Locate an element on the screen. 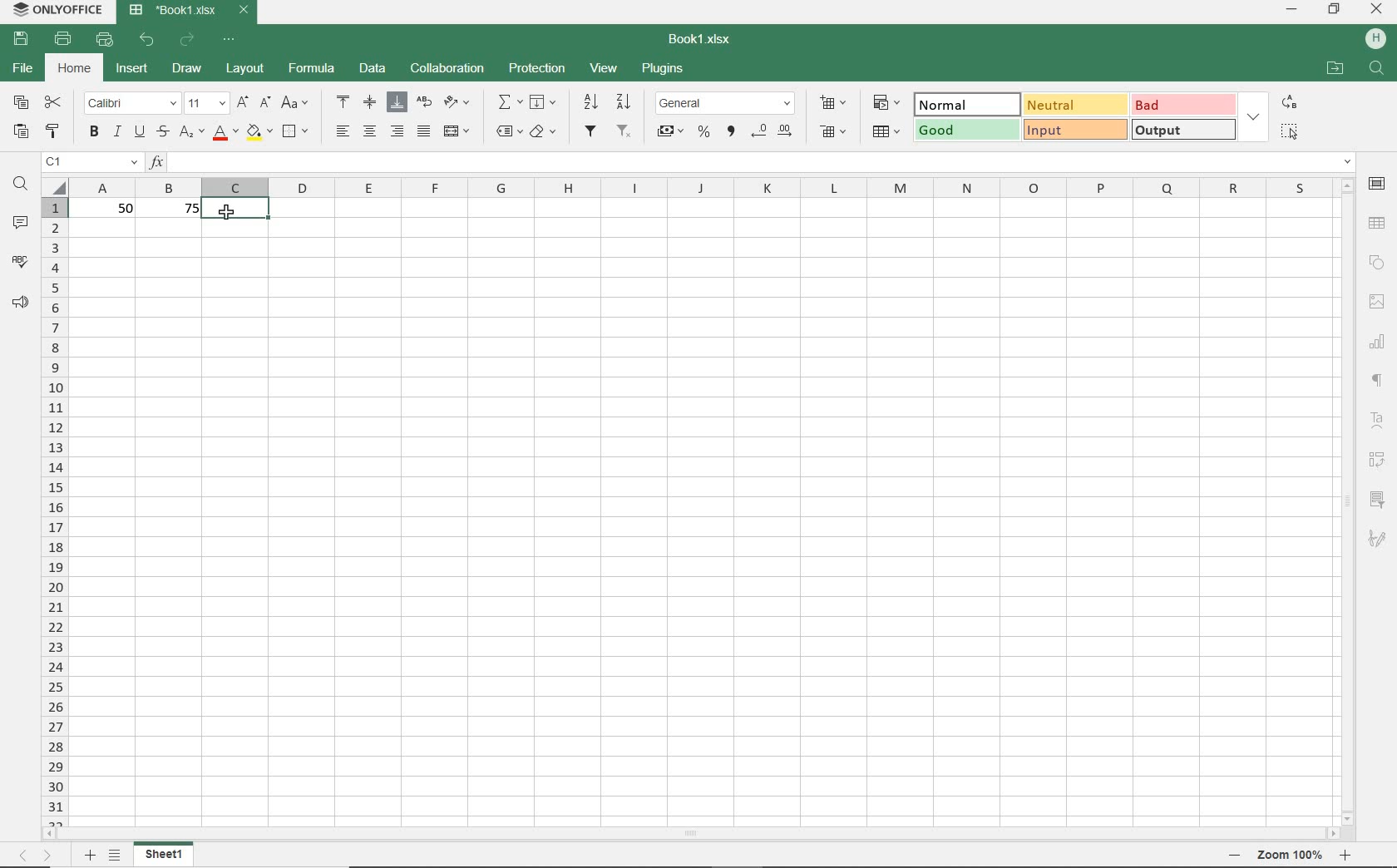 The image size is (1397, 868). fill is located at coordinates (544, 103).